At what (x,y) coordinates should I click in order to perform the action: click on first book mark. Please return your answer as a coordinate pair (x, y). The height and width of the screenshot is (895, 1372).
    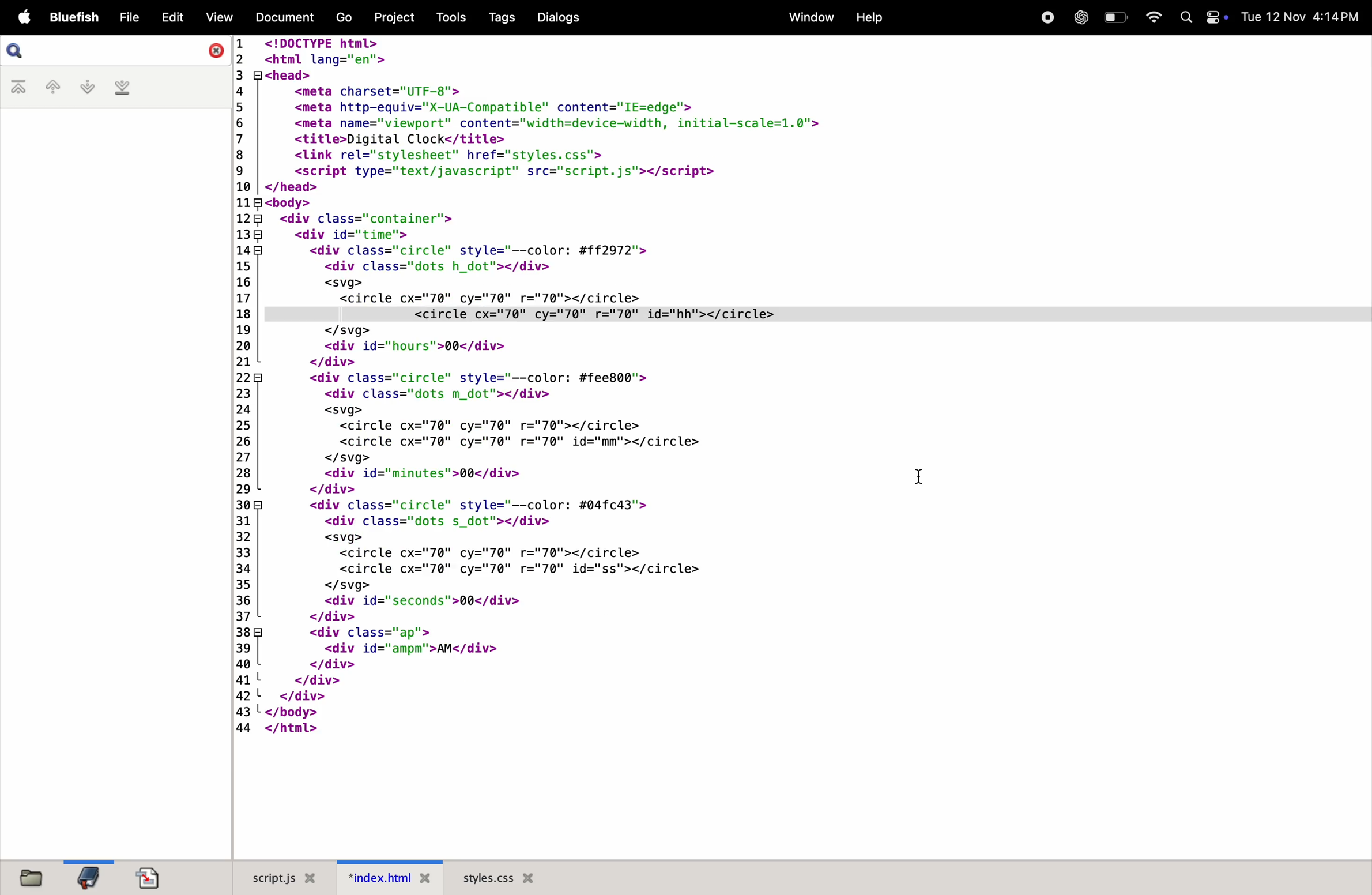
    Looking at the image, I should click on (19, 88).